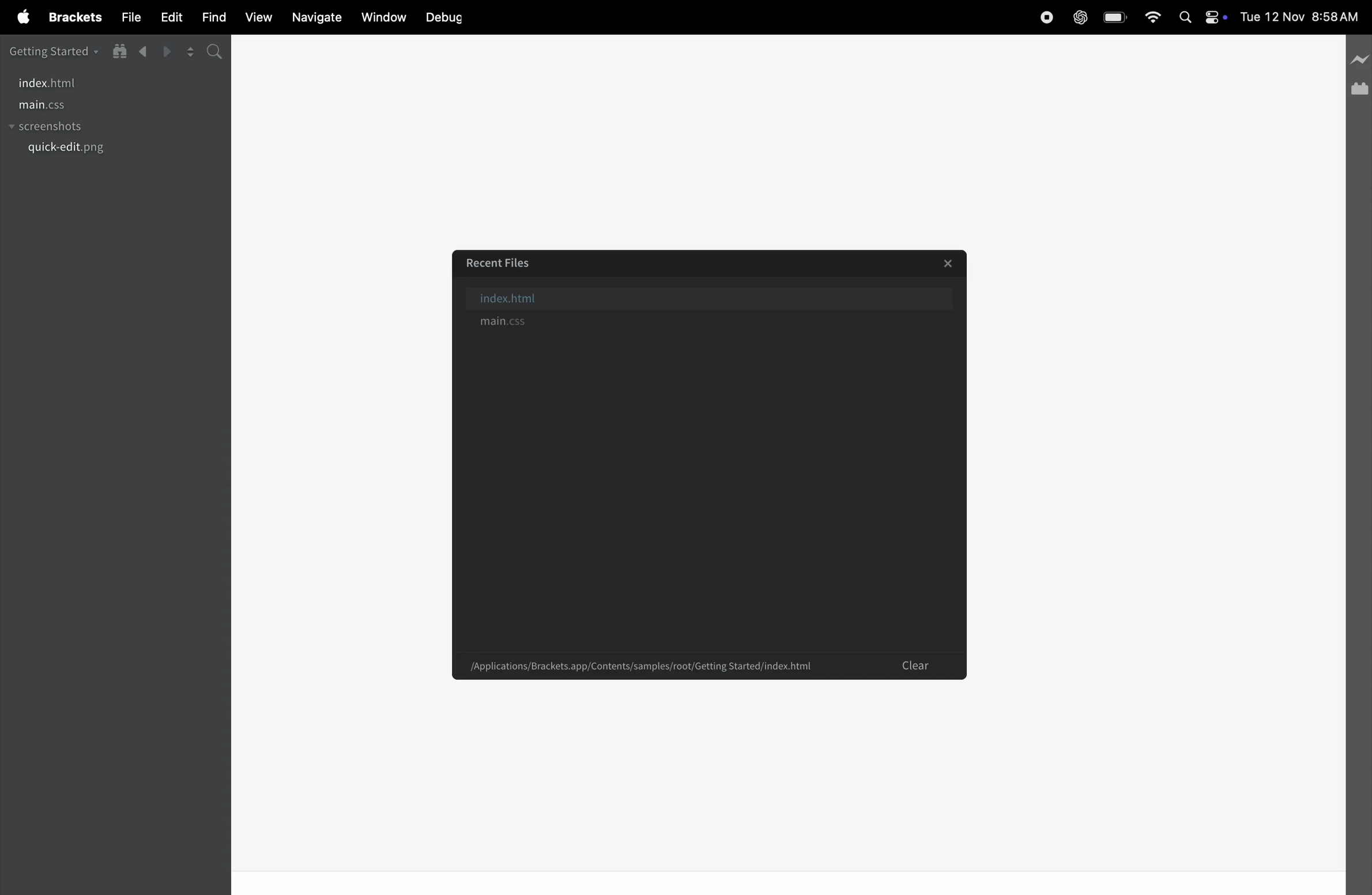  What do you see at coordinates (500, 261) in the screenshot?
I see `recent files` at bounding box center [500, 261].